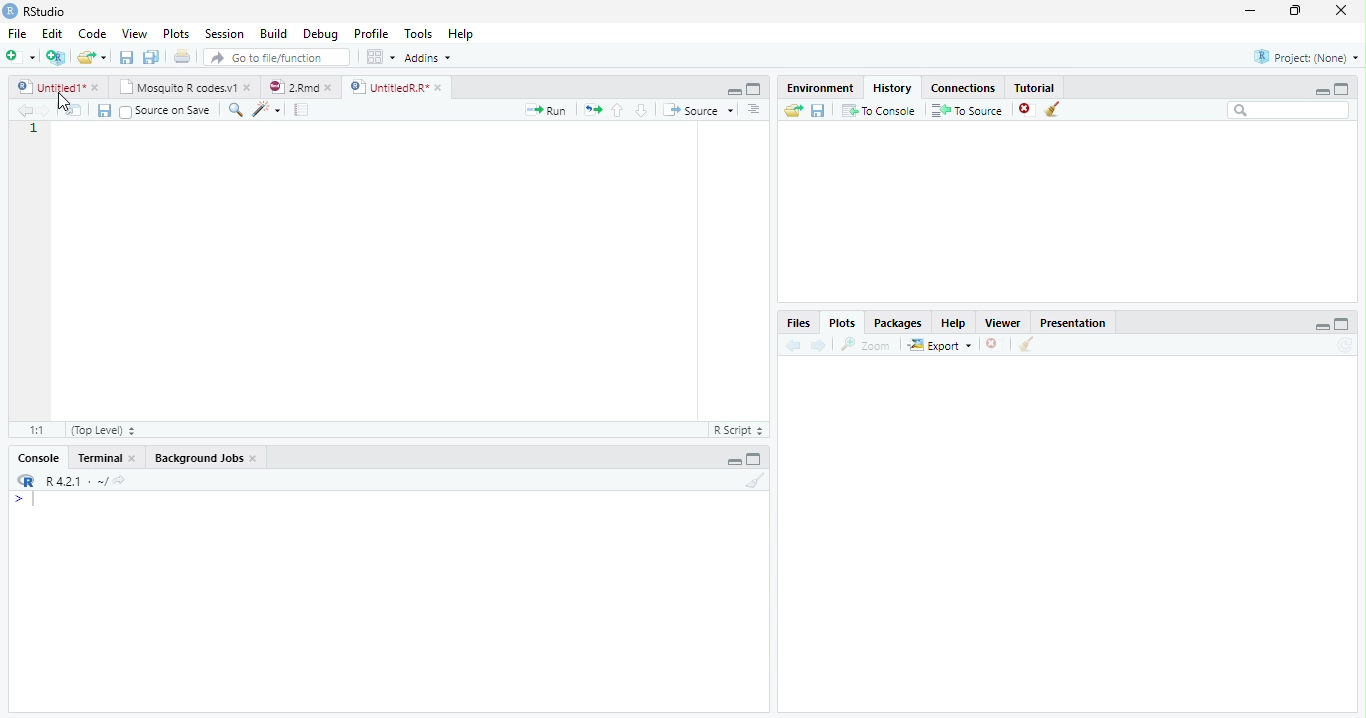 The image size is (1366, 718). What do you see at coordinates (1072, 322) in the screenshot?
I see `Presentation` at bounding box center [1072, 322].